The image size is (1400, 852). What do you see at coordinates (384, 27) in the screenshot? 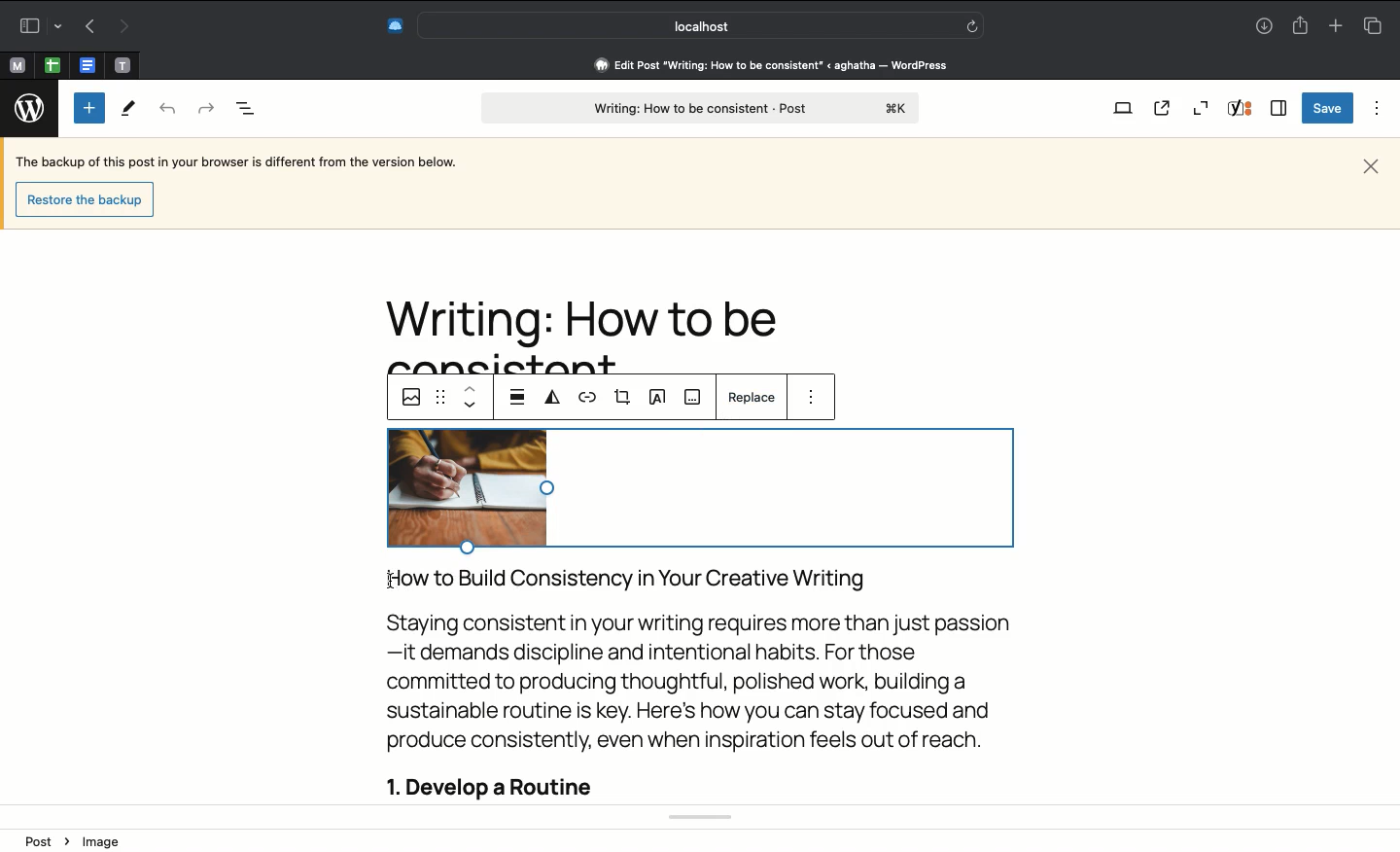
I see `Extensions` at bounding box center [384, 27].